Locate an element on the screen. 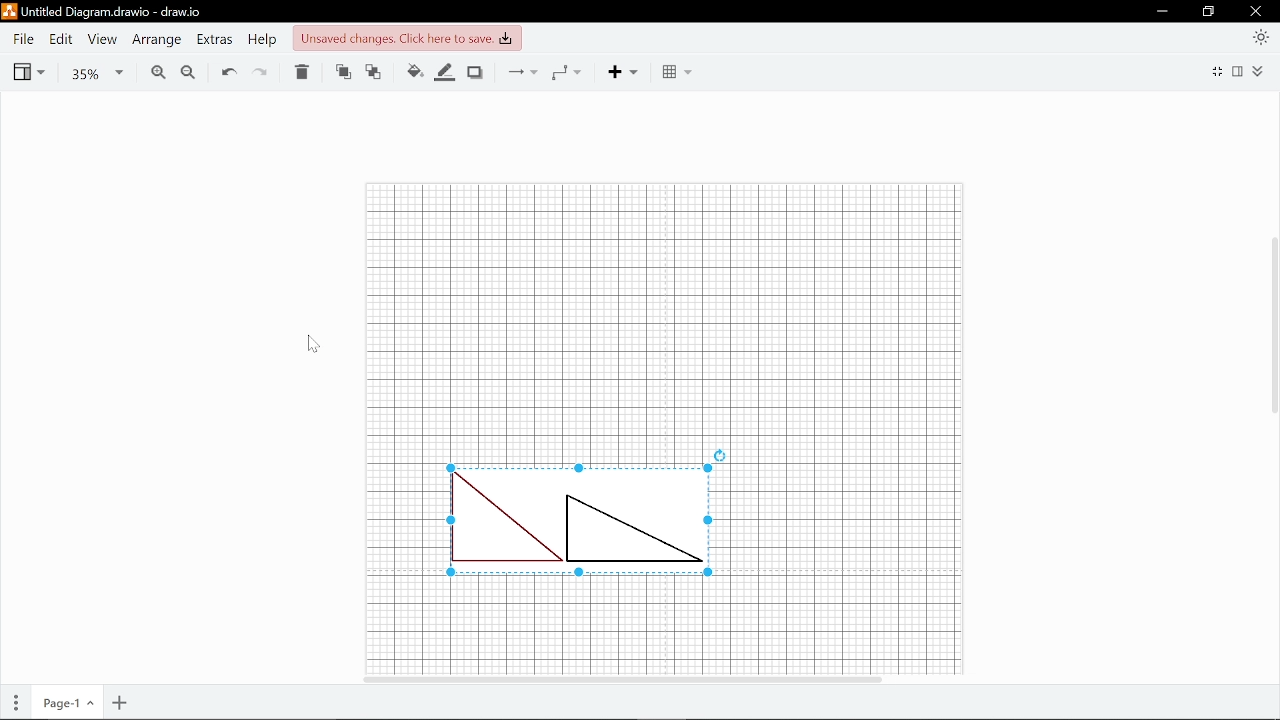 The image size is (1280, 720). Shadow is located at coordinates (475, 72).